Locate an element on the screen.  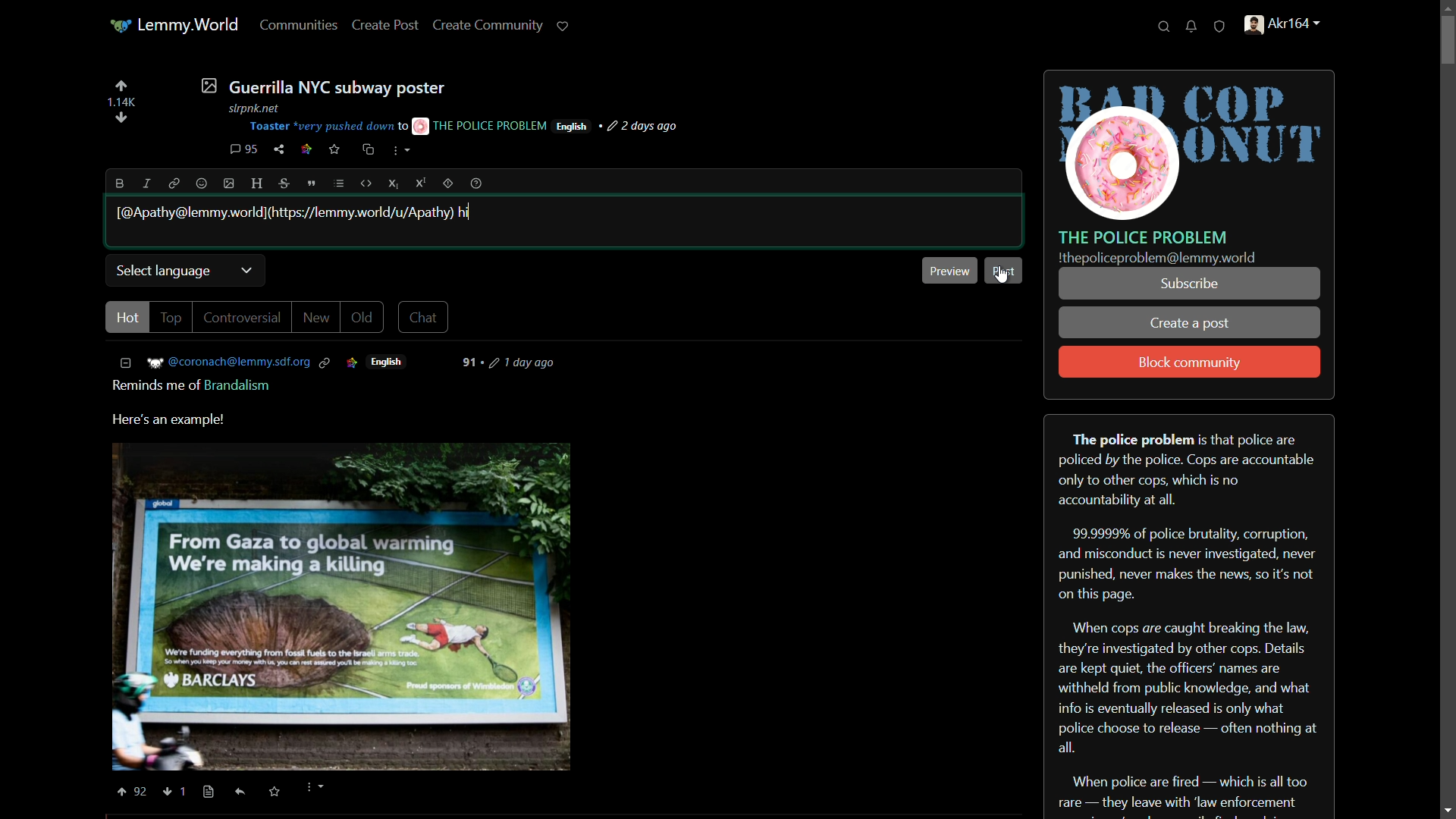
Select language v is located at coordinates (184, 269).